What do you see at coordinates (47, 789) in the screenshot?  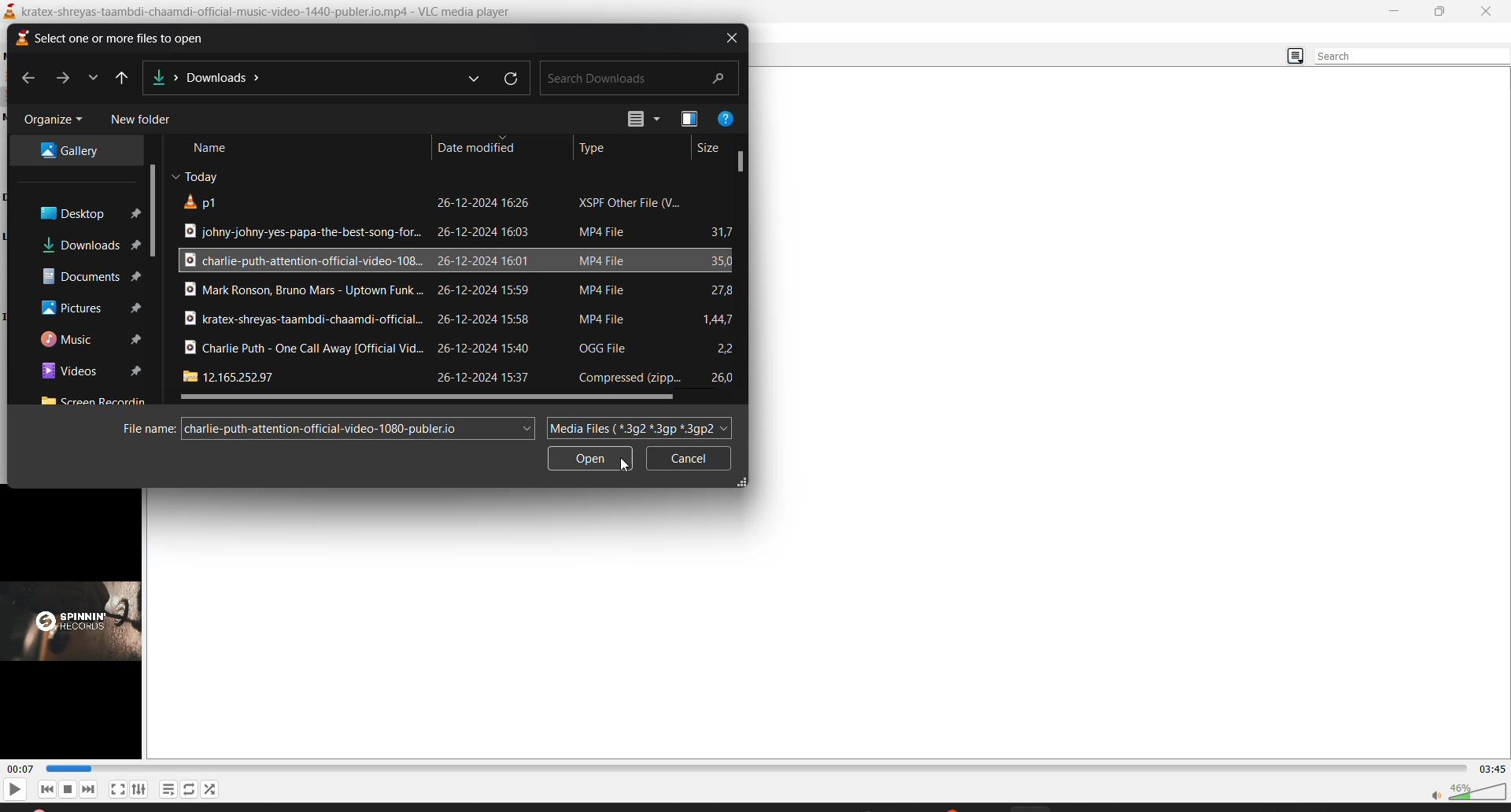 I see `previous` at bounding box center [47, 789].